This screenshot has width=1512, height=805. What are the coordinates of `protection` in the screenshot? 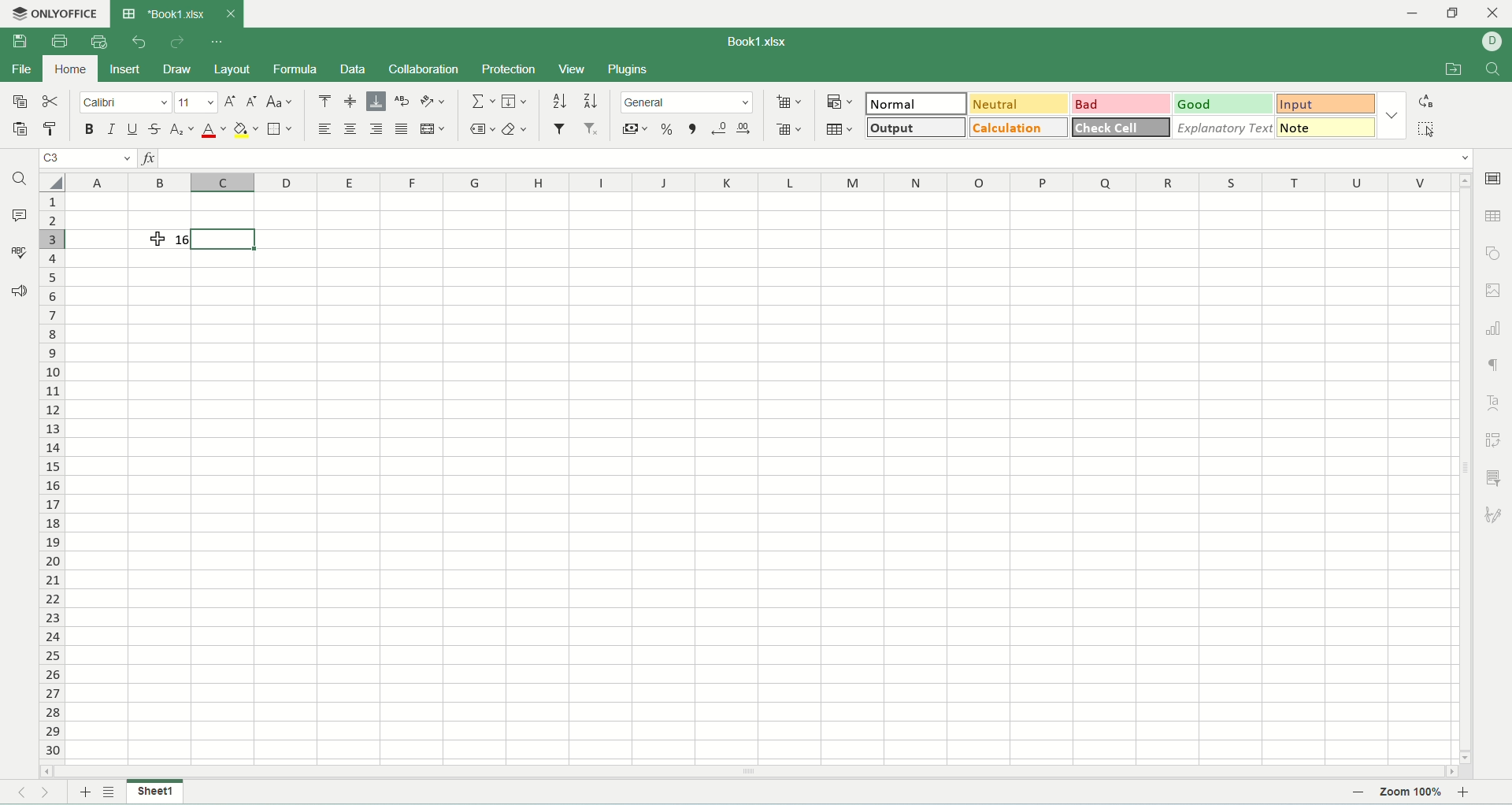 It's located at (509, 70).